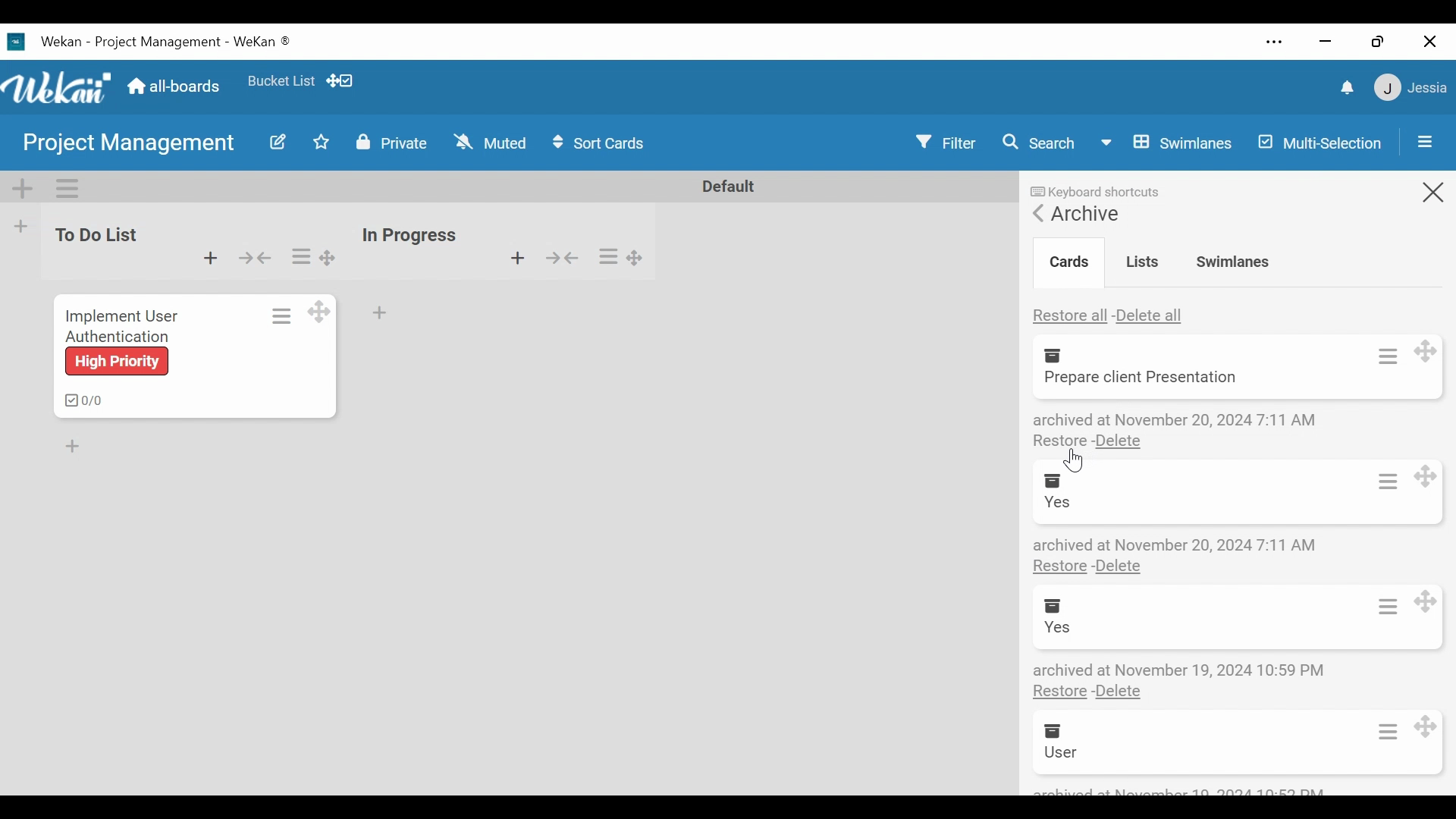 Image resolution: width=1456 pixels, height=819 pixels. What do you see at coordinates (19, 226) in the screenshot?
I see `Add list` at bounding box center [19, 226].